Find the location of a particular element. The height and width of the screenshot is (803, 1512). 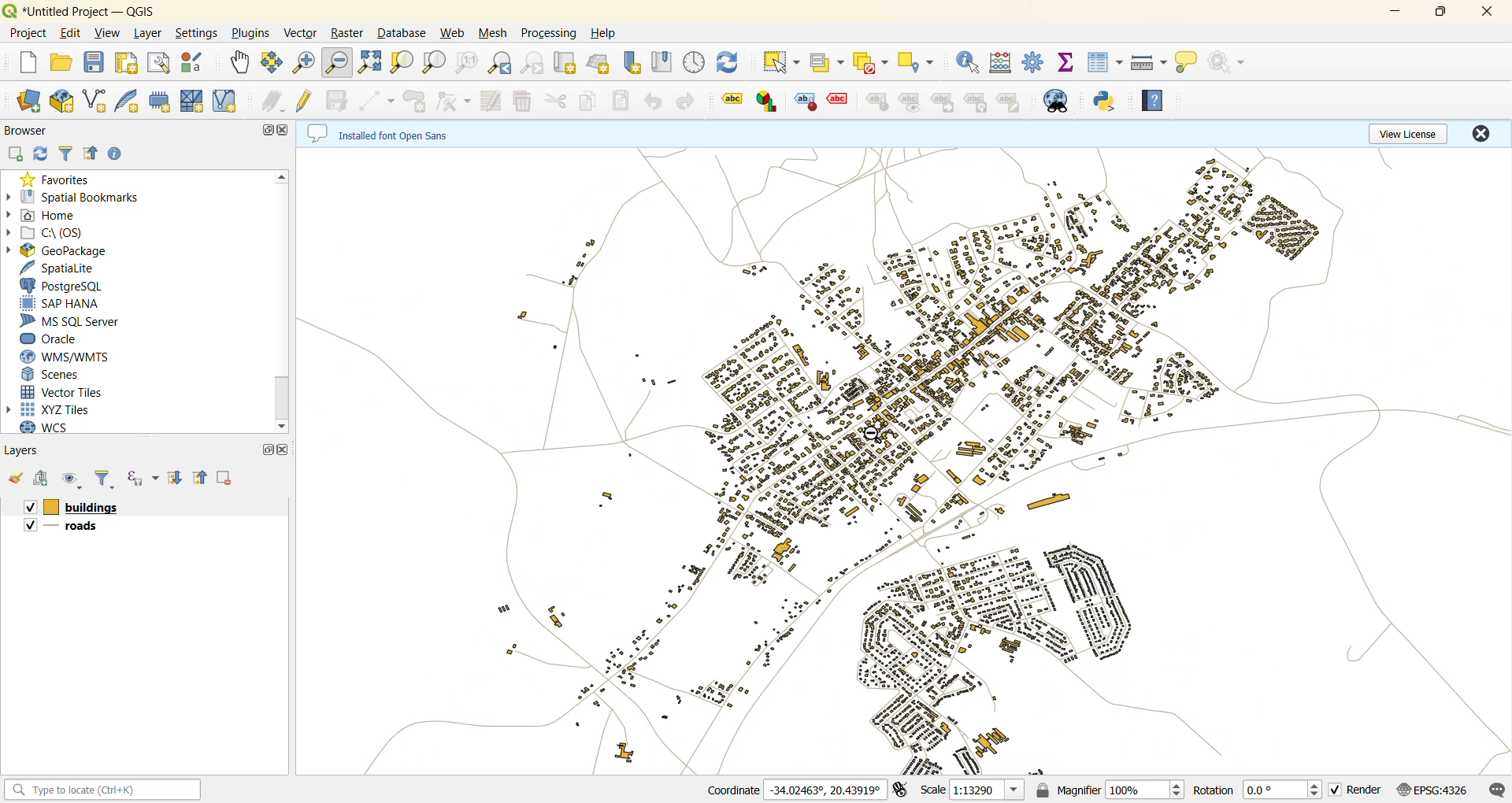

oracle is located at coordinates (54, 339).